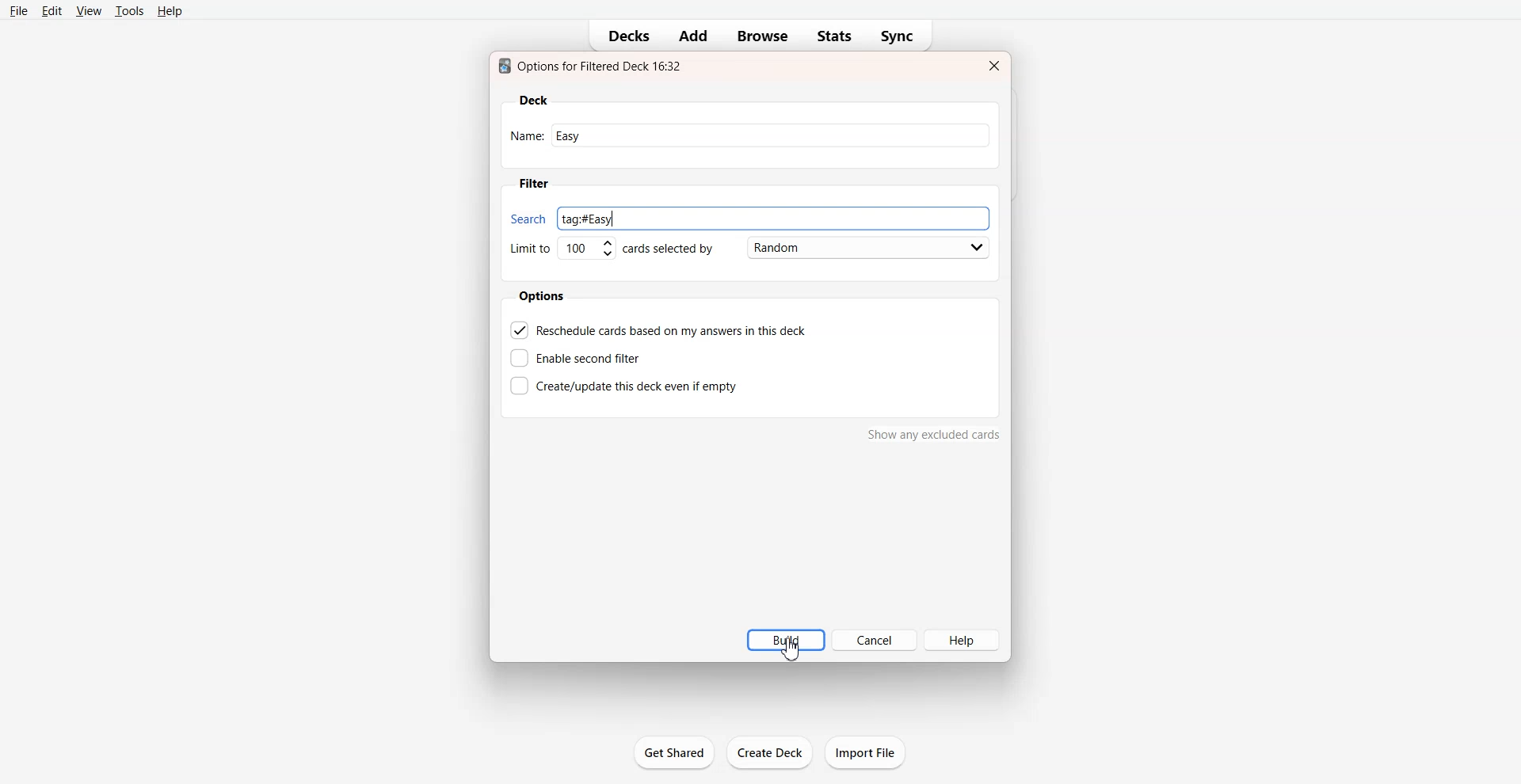 Image resolution: width=1521 pixels, height=784 pixels. Describe the element at coordinates (623, 384) in the screenshot. I see `Create this deck even if empty` at that location.